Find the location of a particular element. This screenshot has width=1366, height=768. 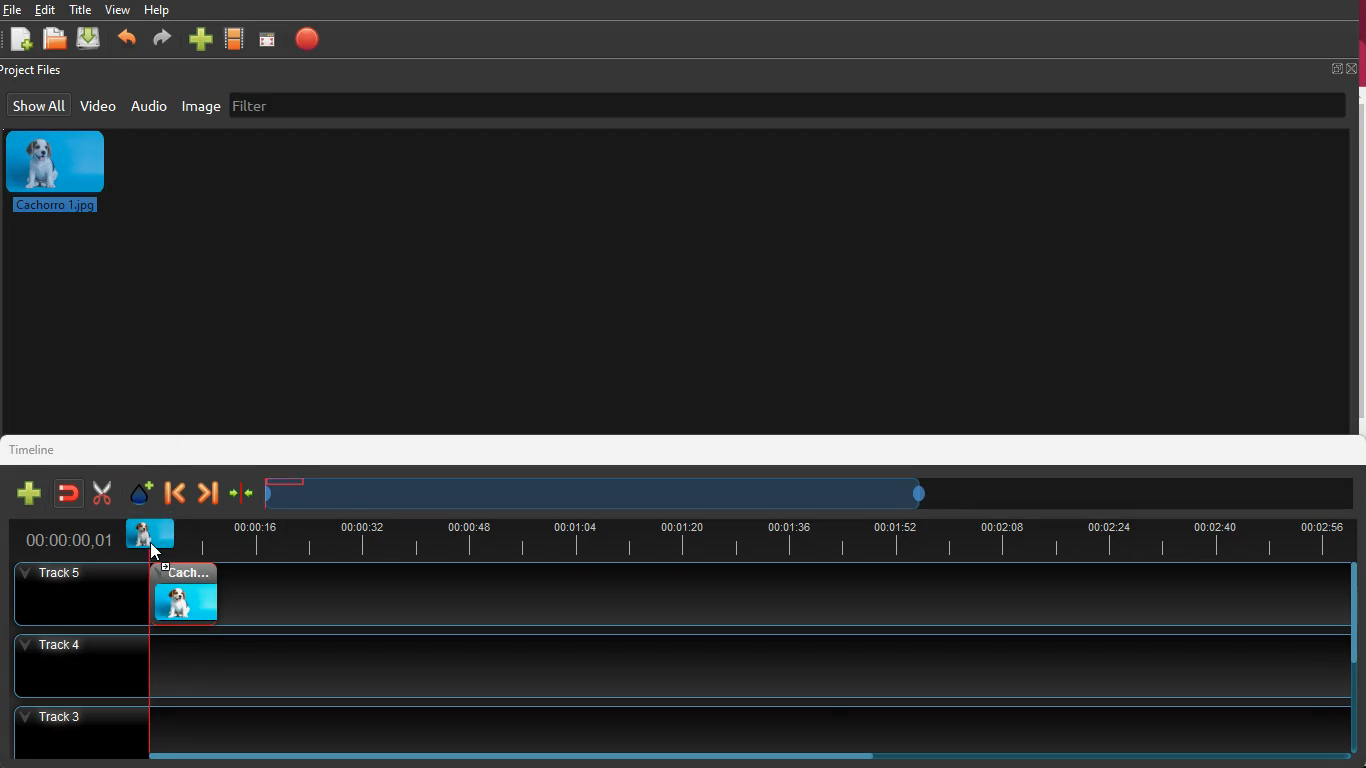

cursor is located at coordinates (160, 551).